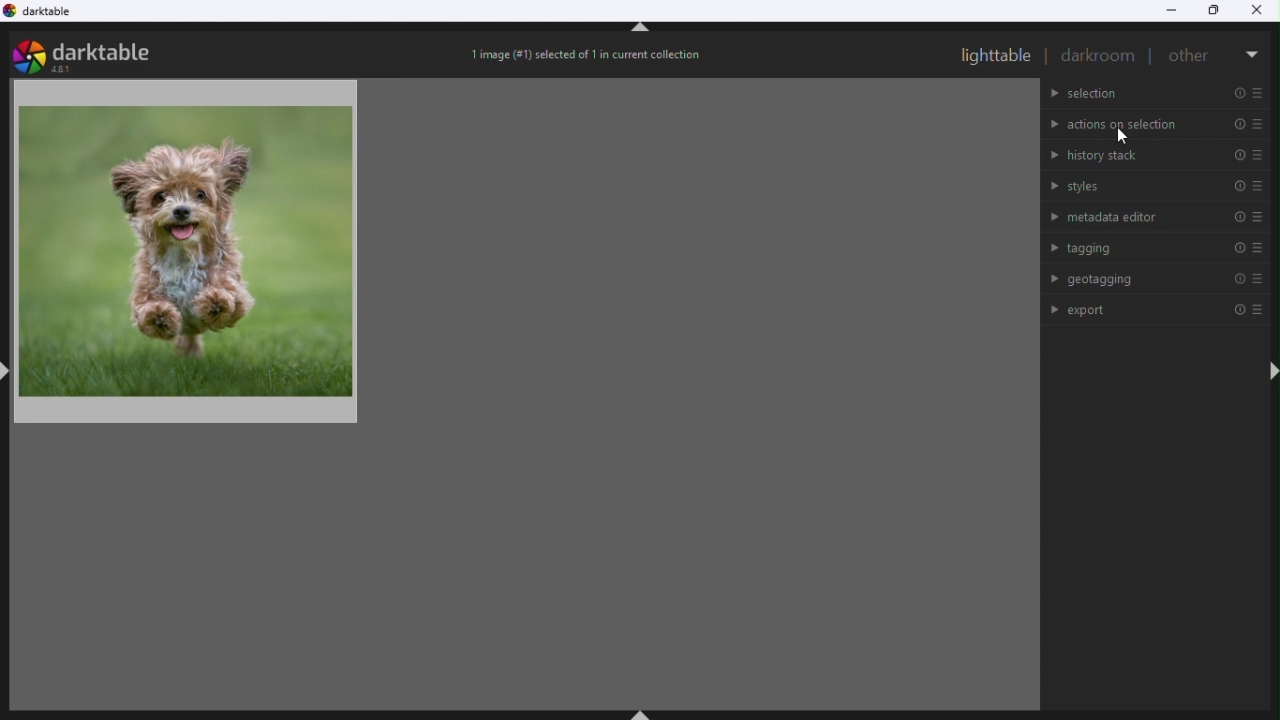  What do you see at coordinates (641, 31) in the screenshot?
I see `shift+ctrl+t` at bounding box center [641, 31].